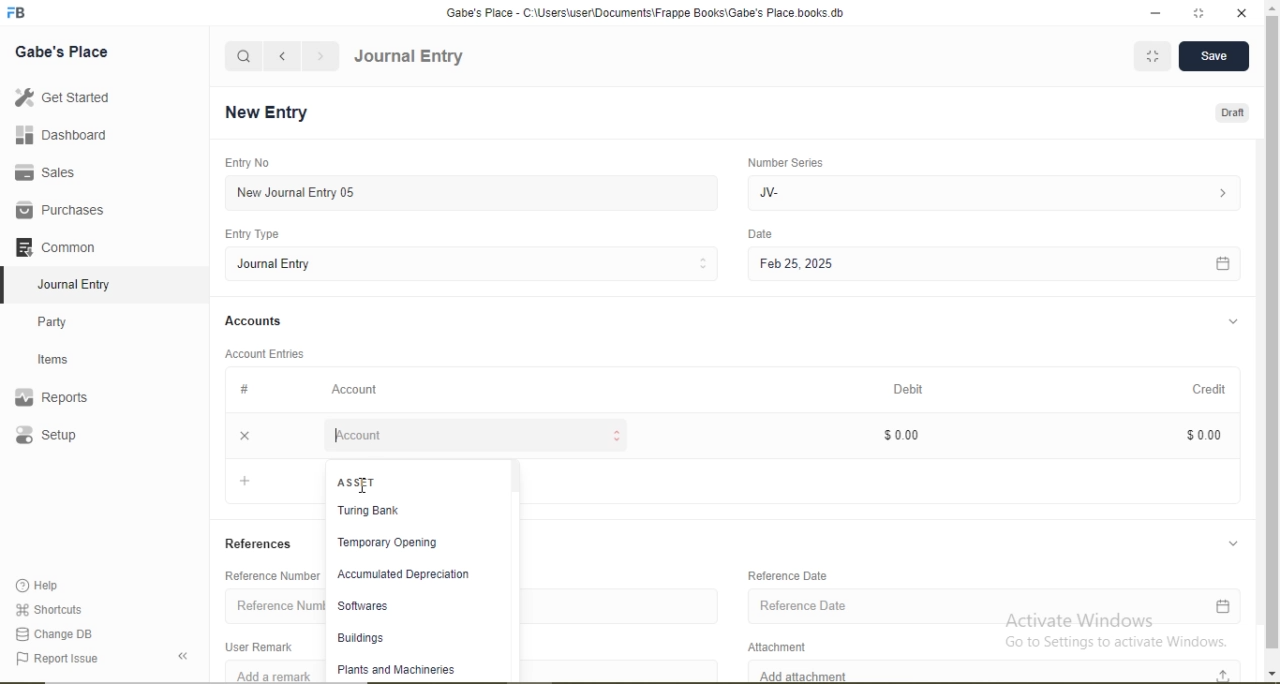 This screenshot has width=1280, height=684. Describe the element at coordinates (268, 674) in the screenshot. I see `Add a remark` at that location.